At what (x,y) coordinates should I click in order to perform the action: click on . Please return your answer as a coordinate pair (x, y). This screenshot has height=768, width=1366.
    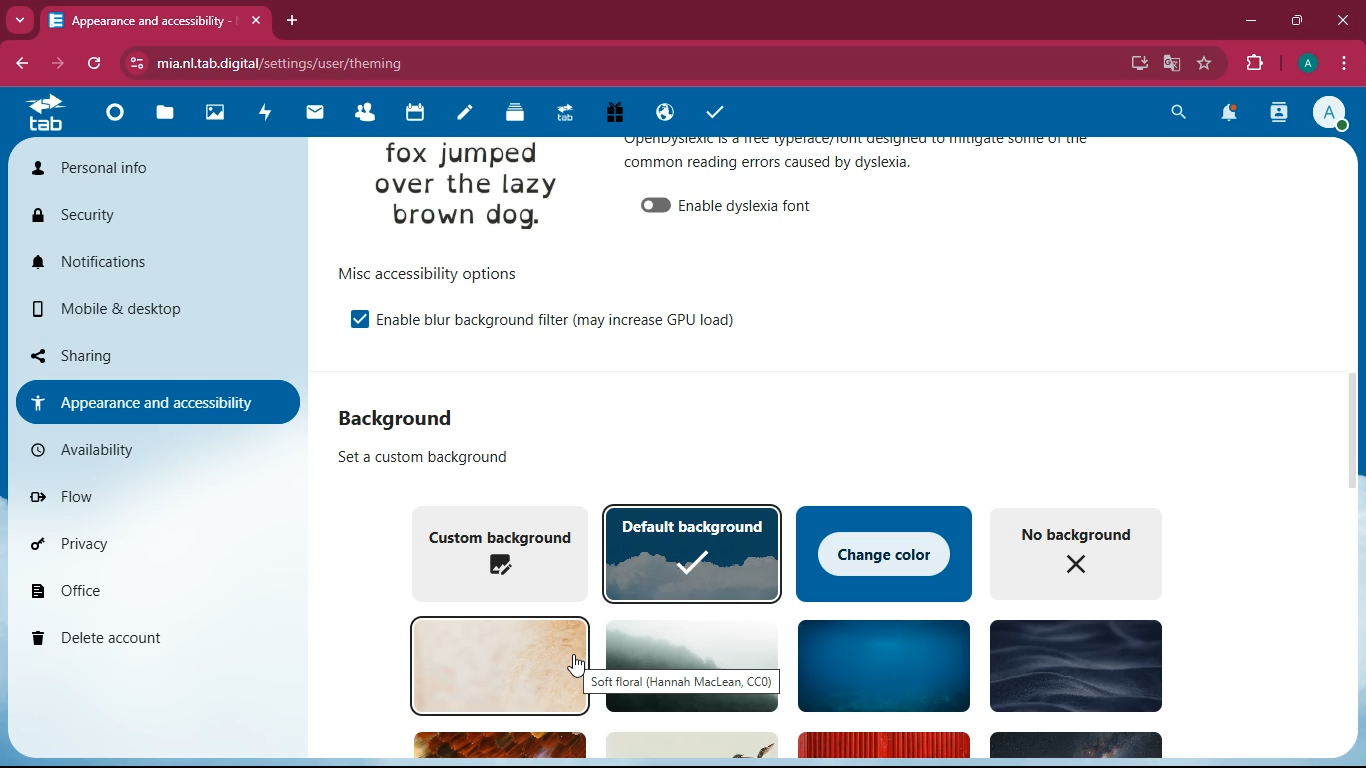
    Looking at the image, I should click on (883, 747).